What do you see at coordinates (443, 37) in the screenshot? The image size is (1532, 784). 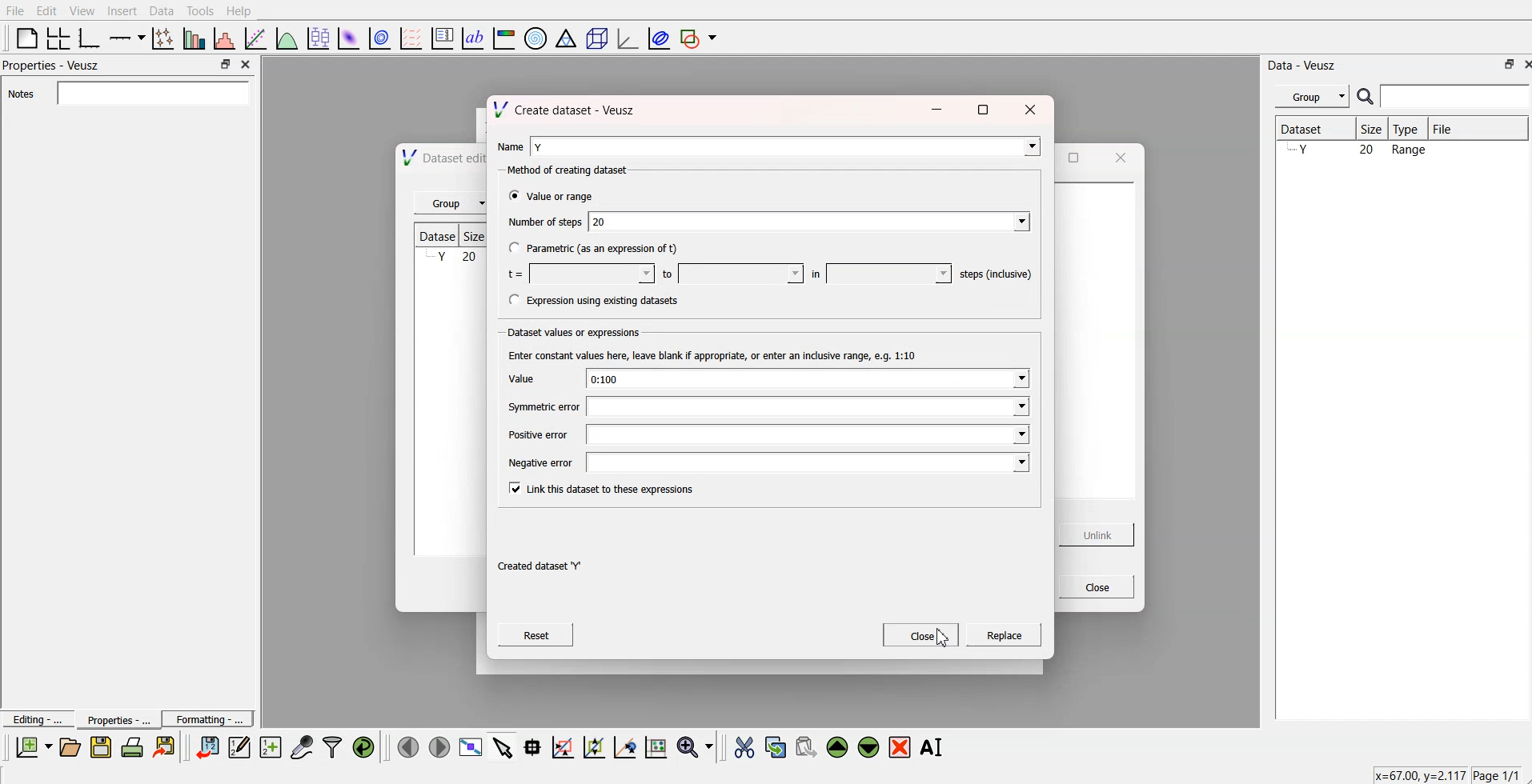 I see `plot key` at bounding box center [443, 37].